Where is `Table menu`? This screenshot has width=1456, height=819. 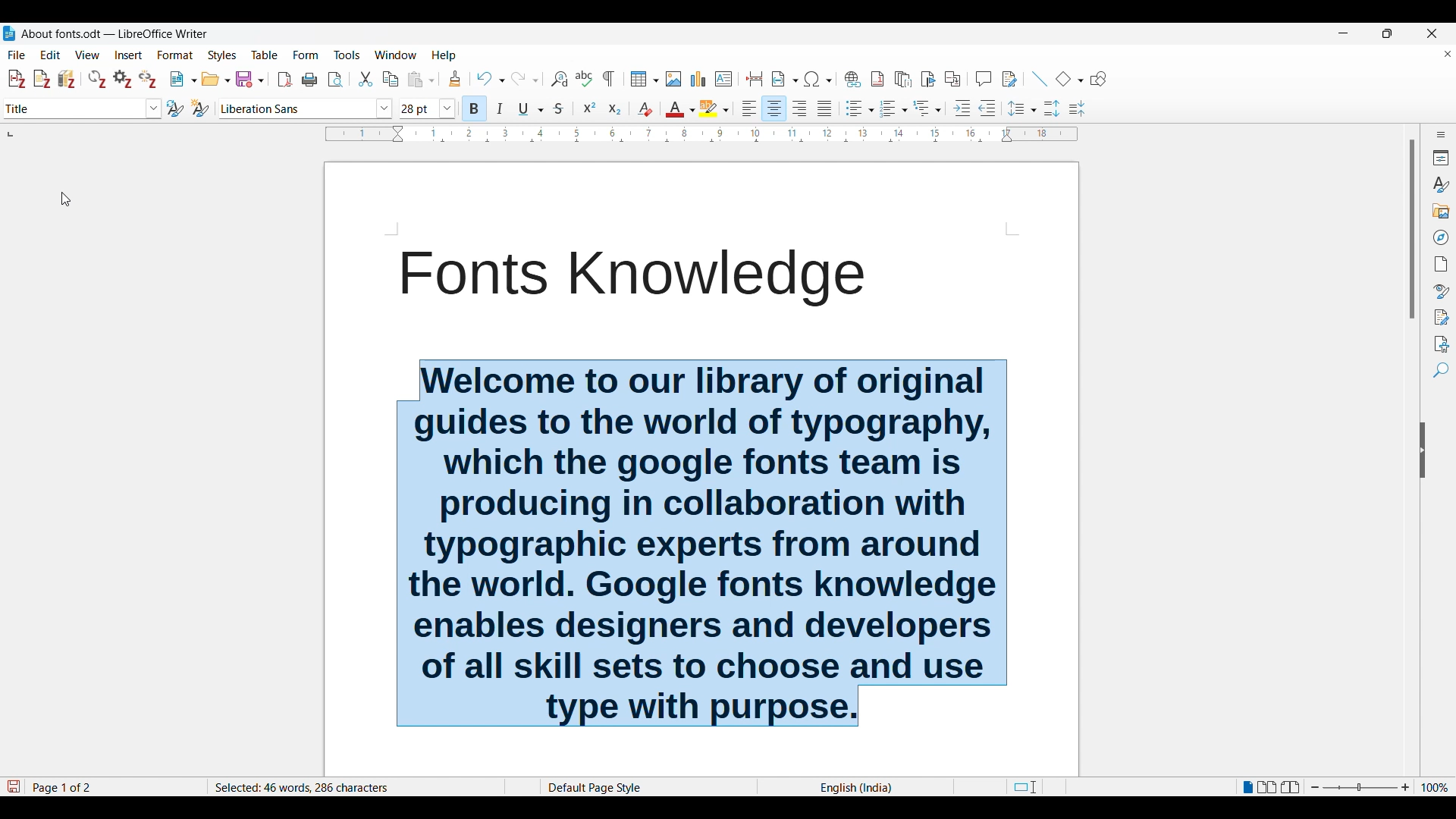
Table menu is located at coordinates (265, 55).